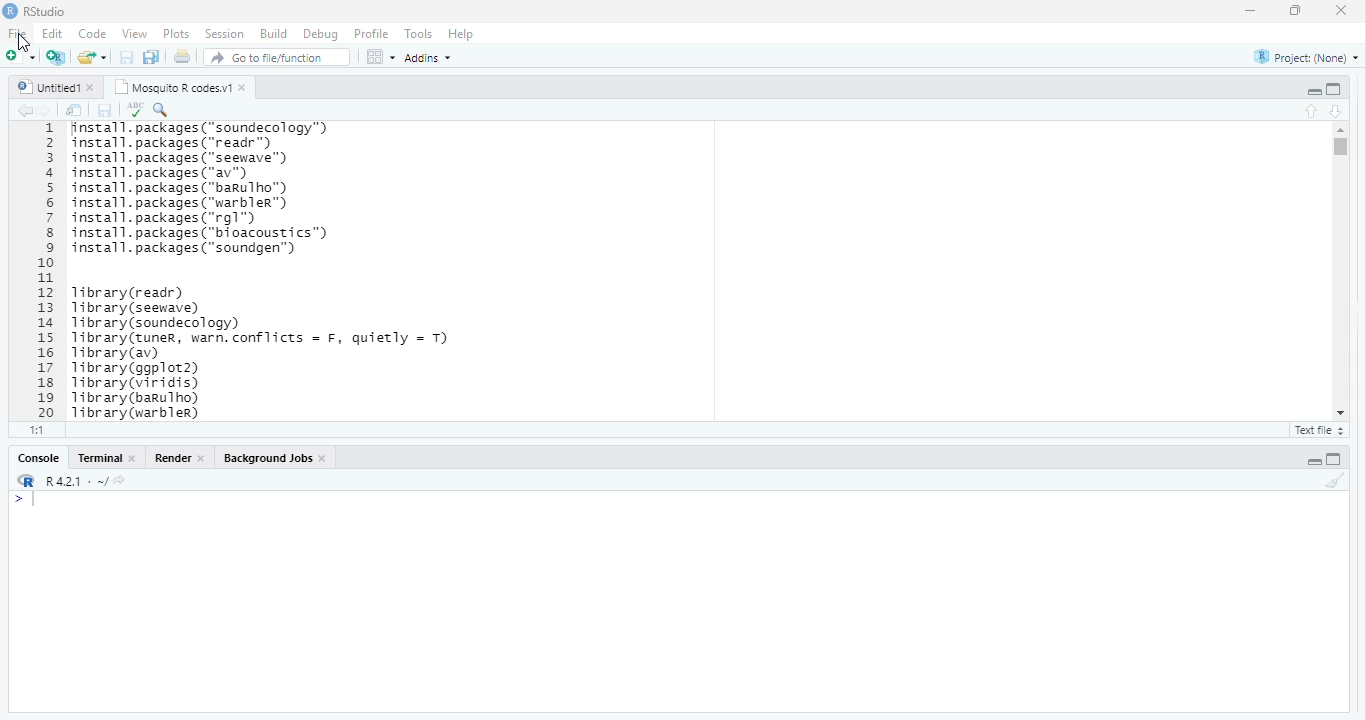 This screenshot has width=1366, height=720. I want to click on close, so click(133, 458).